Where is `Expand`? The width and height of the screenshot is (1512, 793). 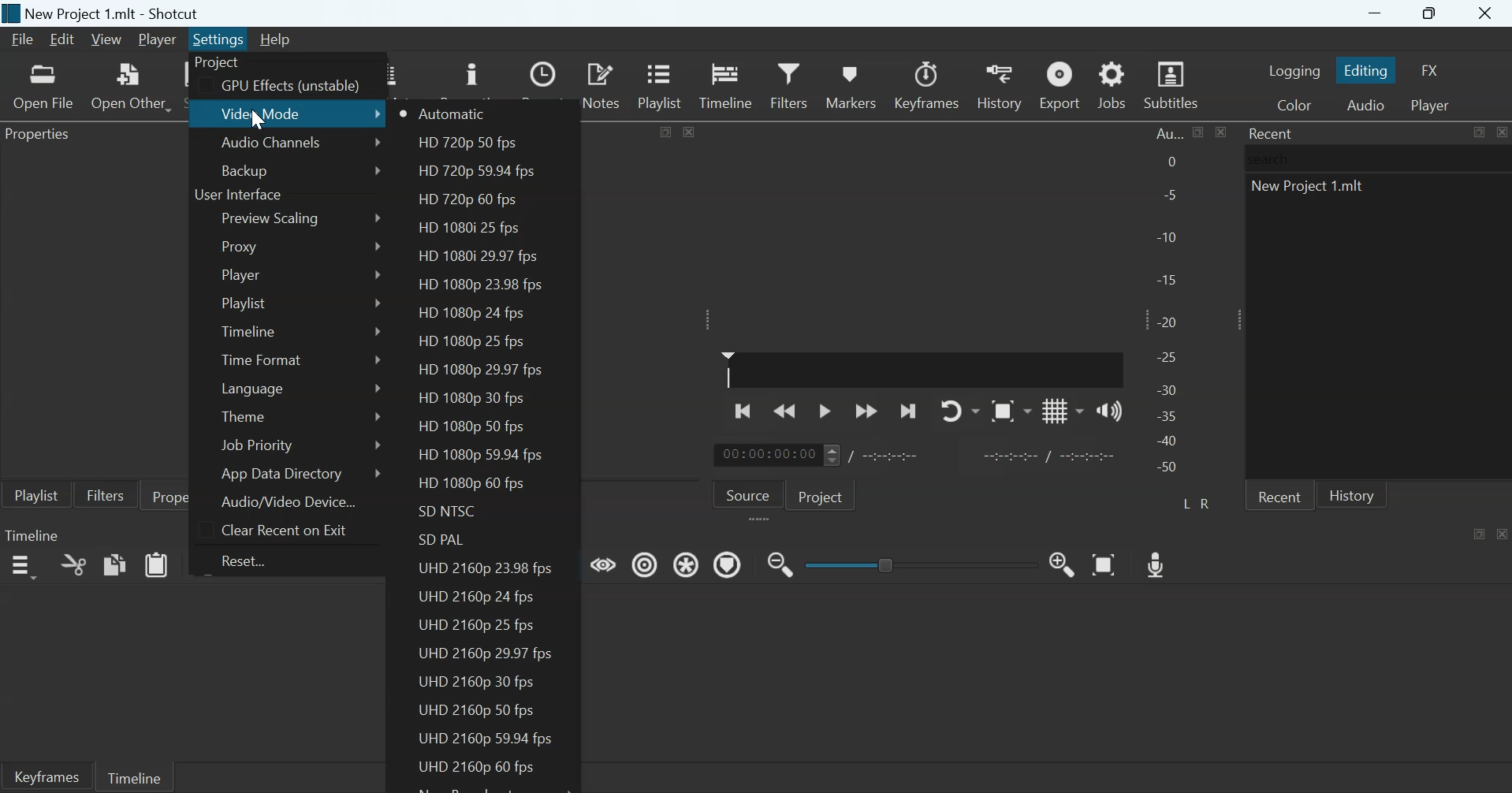
Expand is located at coordinates (1235, 319).